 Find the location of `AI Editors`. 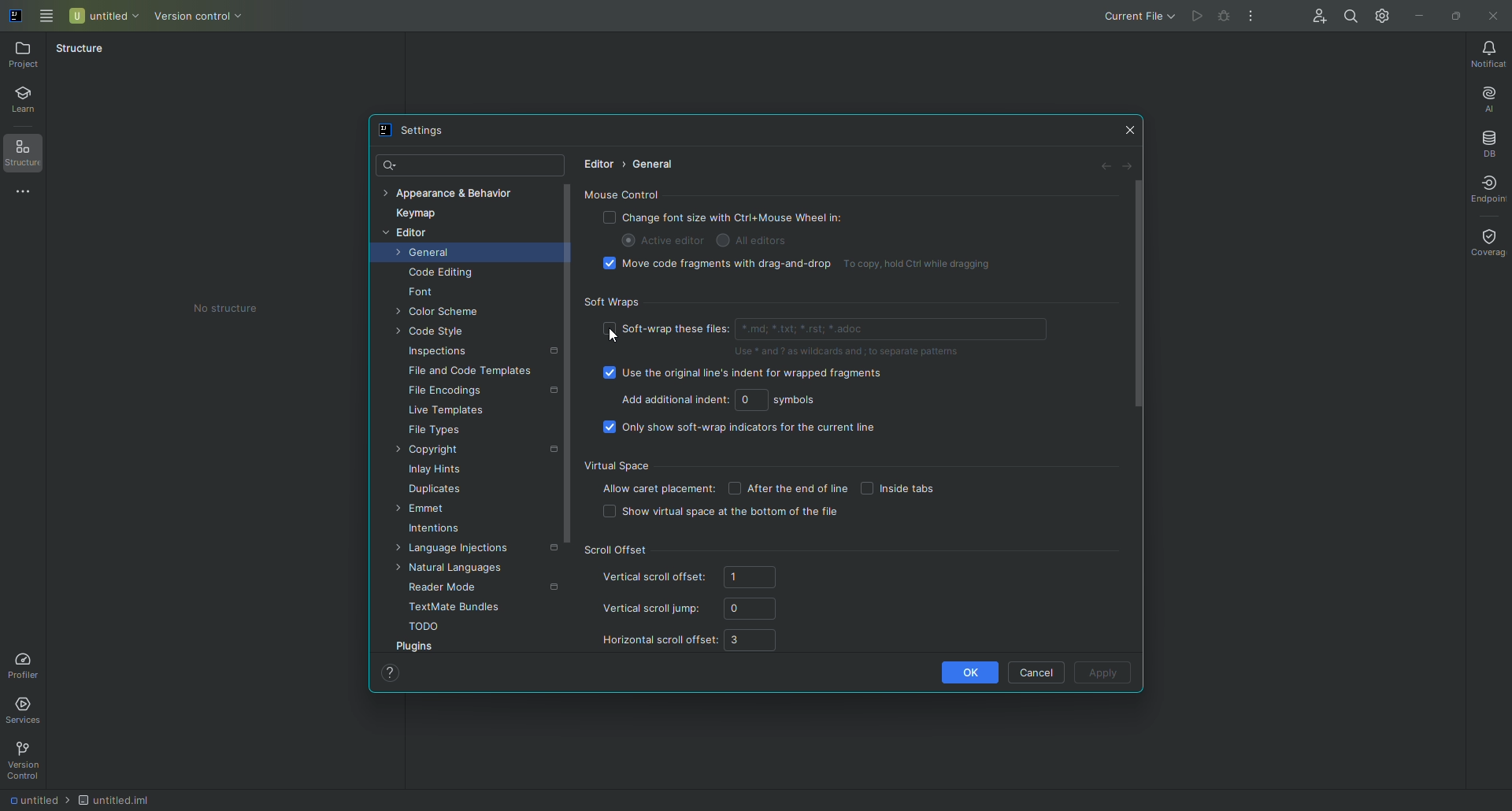

AI Editors is located at coordinates (770, 241).